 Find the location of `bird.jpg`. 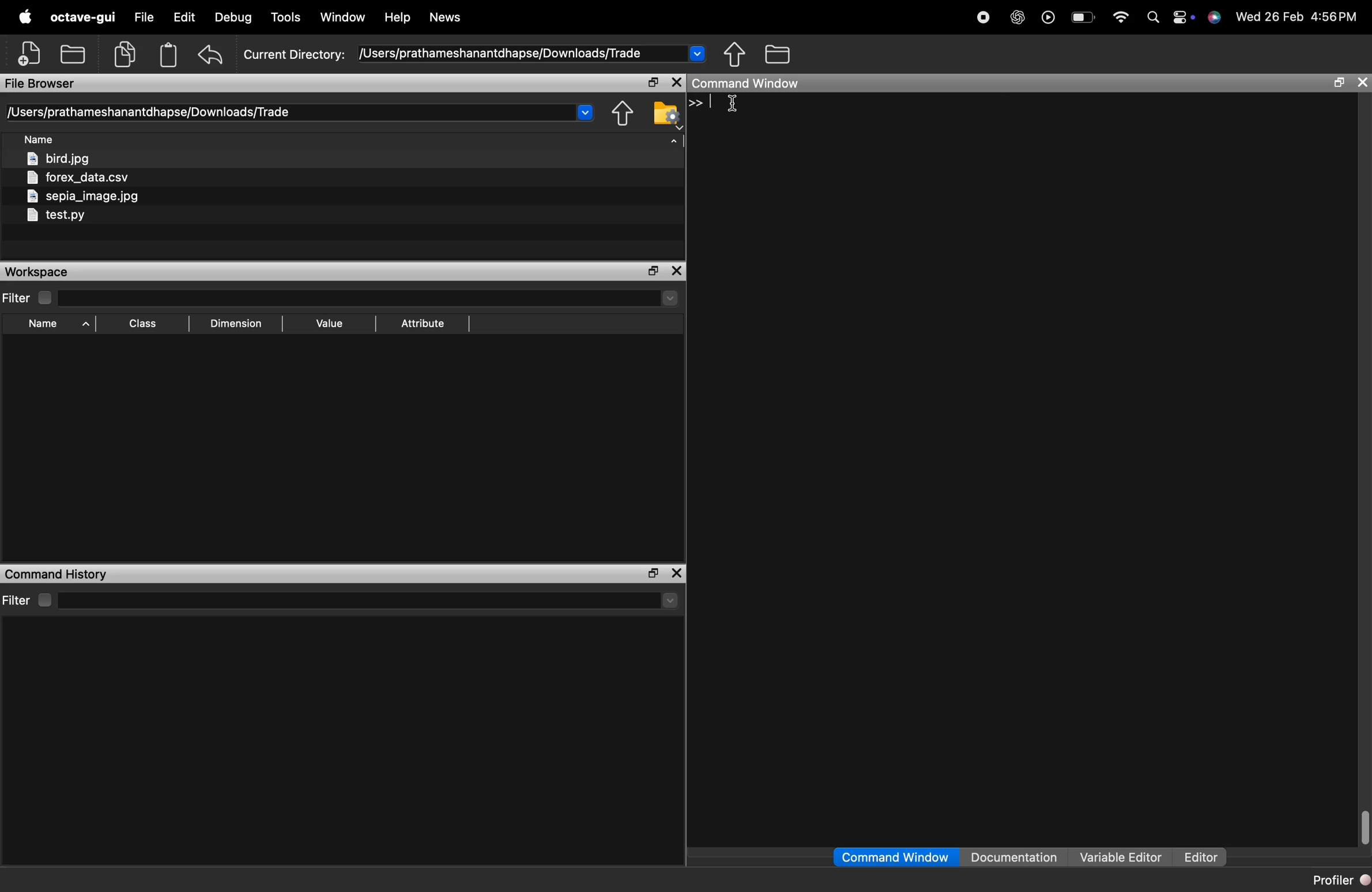

bird.jpg is located at coordinates (58, 158).